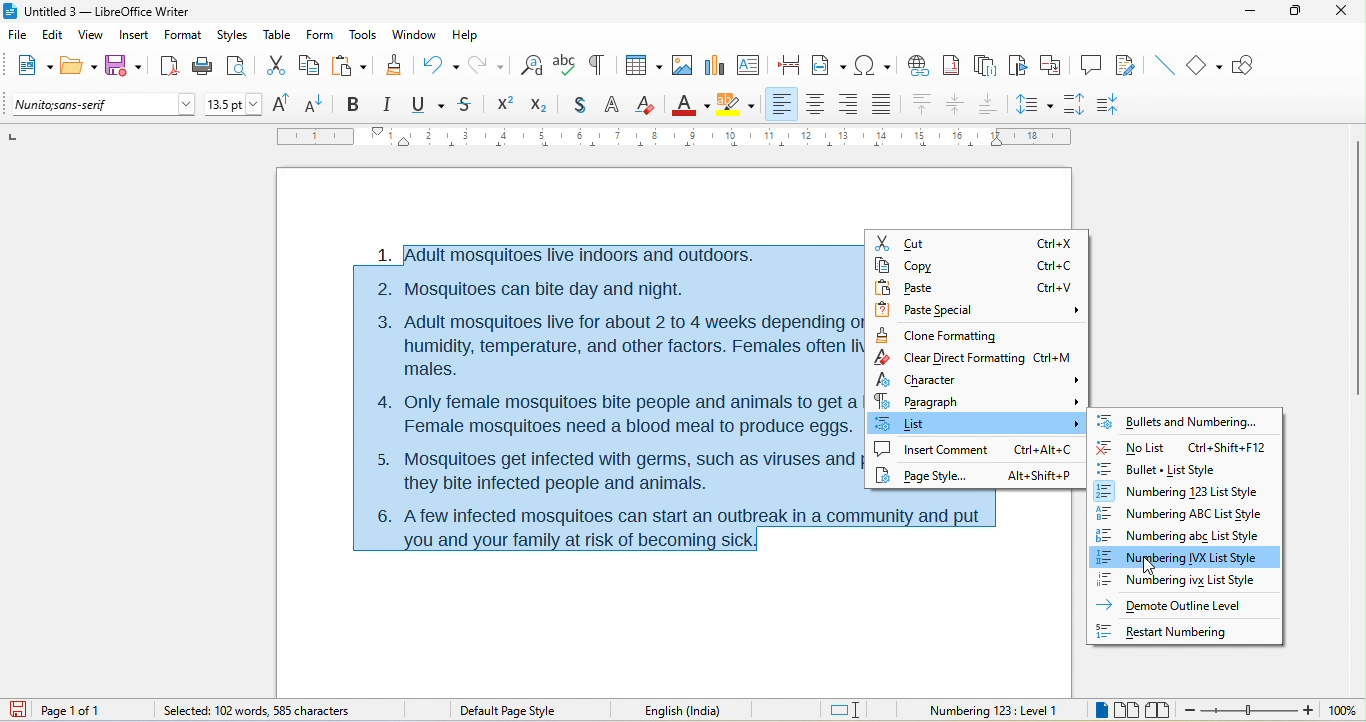  Describe the element at coordinates (53, 36) in the screenshot. I see `edit` at that location.